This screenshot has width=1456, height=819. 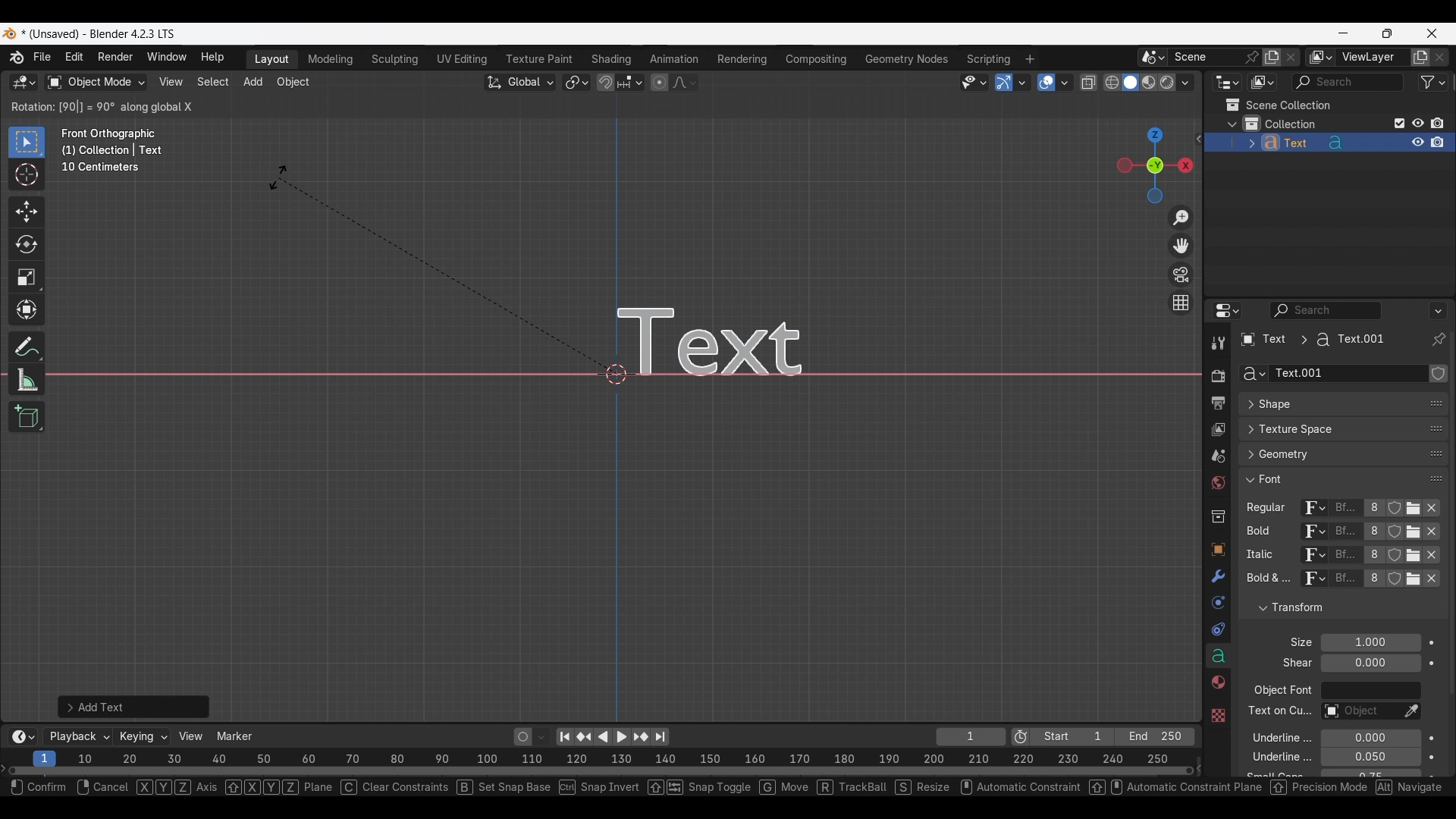 I want to click on precision mode, so click(x=1324, y=790).